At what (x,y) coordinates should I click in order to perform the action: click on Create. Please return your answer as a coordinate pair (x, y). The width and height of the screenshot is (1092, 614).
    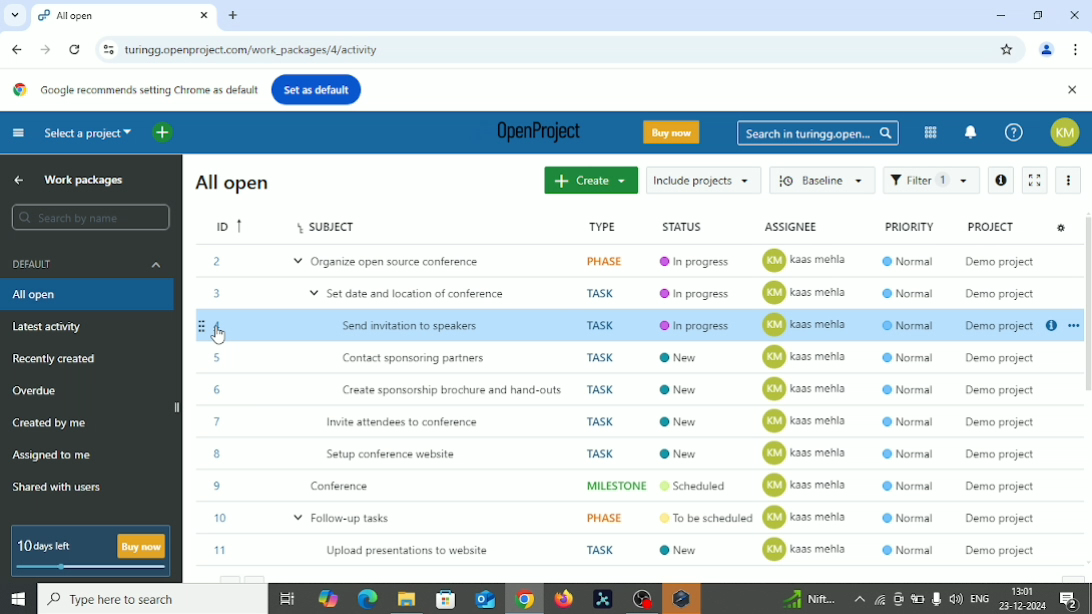
    Looking at the image, I should click on (590, 181).